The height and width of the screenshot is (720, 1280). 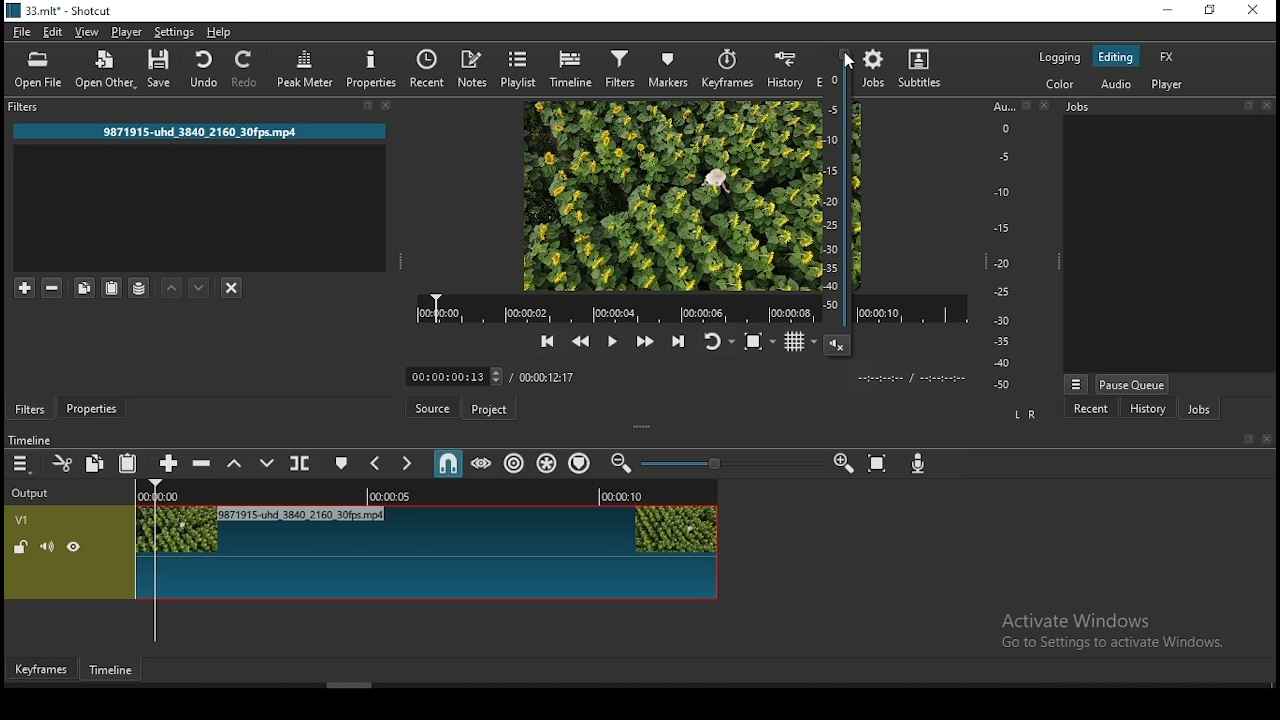 I want to click on record audio, so click(x=915, y=465).